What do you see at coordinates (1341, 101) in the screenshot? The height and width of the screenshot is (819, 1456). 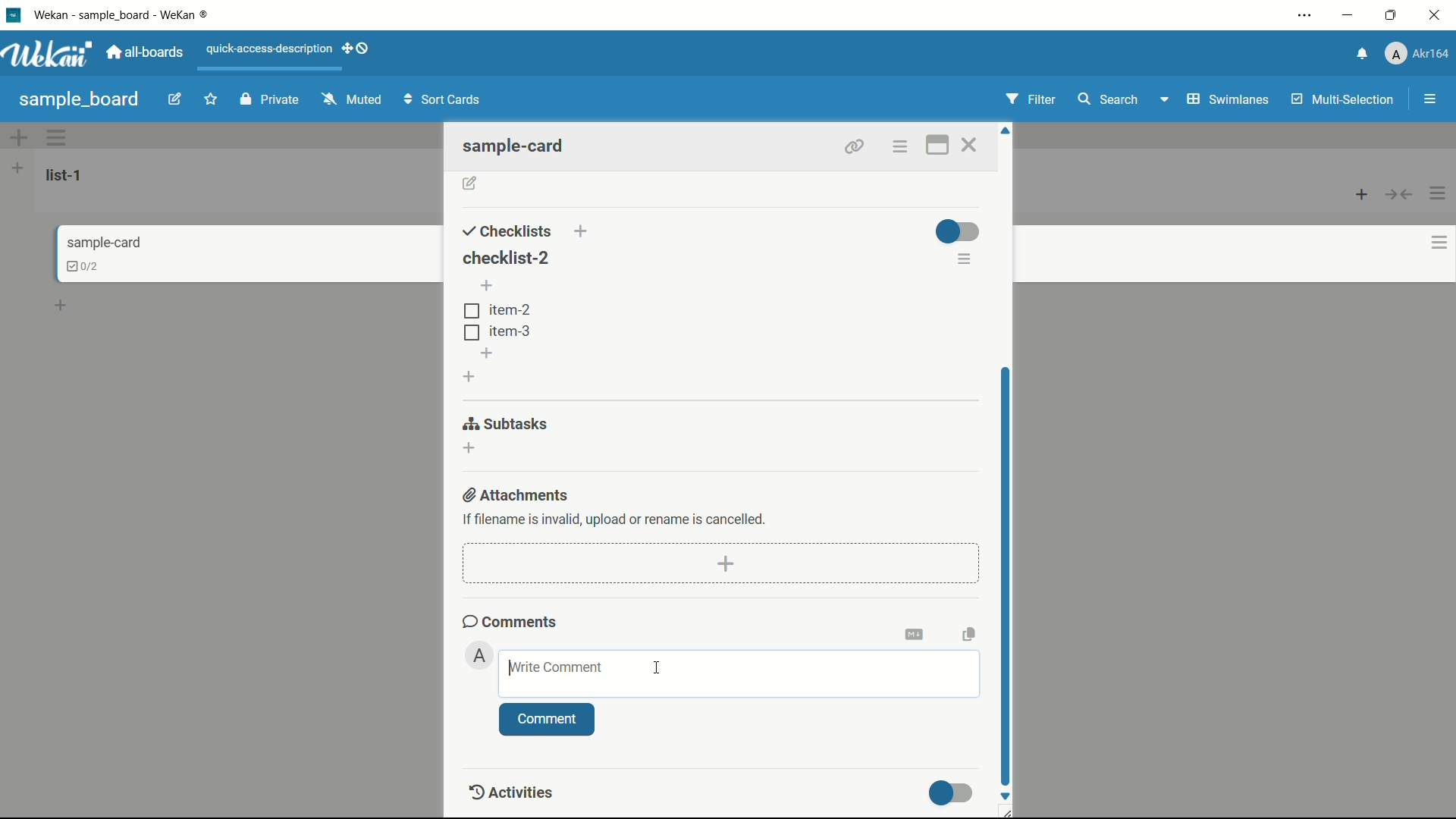 I see `multi selection` at bounding box center [1341, 101].